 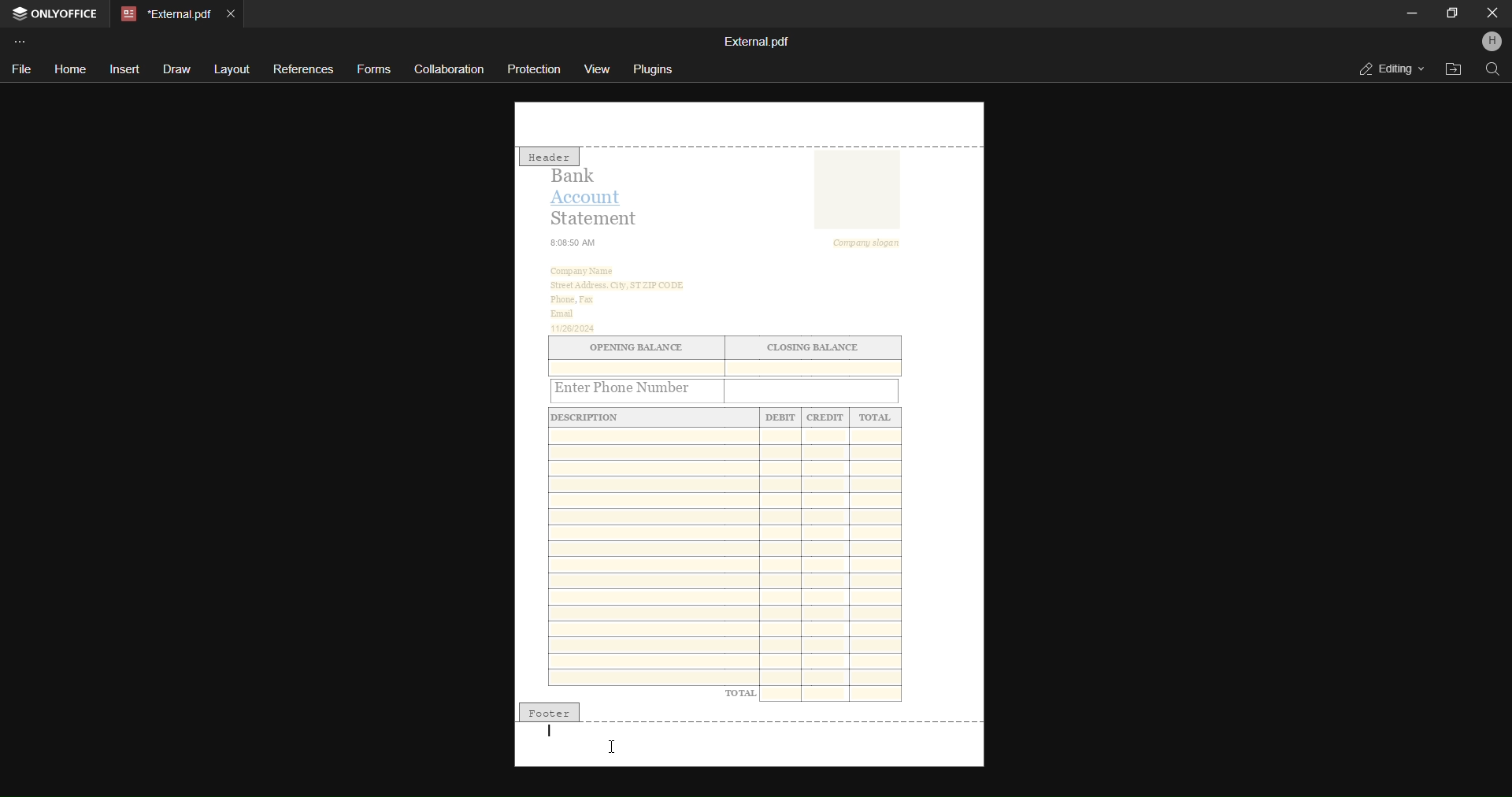 I want to click on customize toolbar, so click(x=24, y=40).